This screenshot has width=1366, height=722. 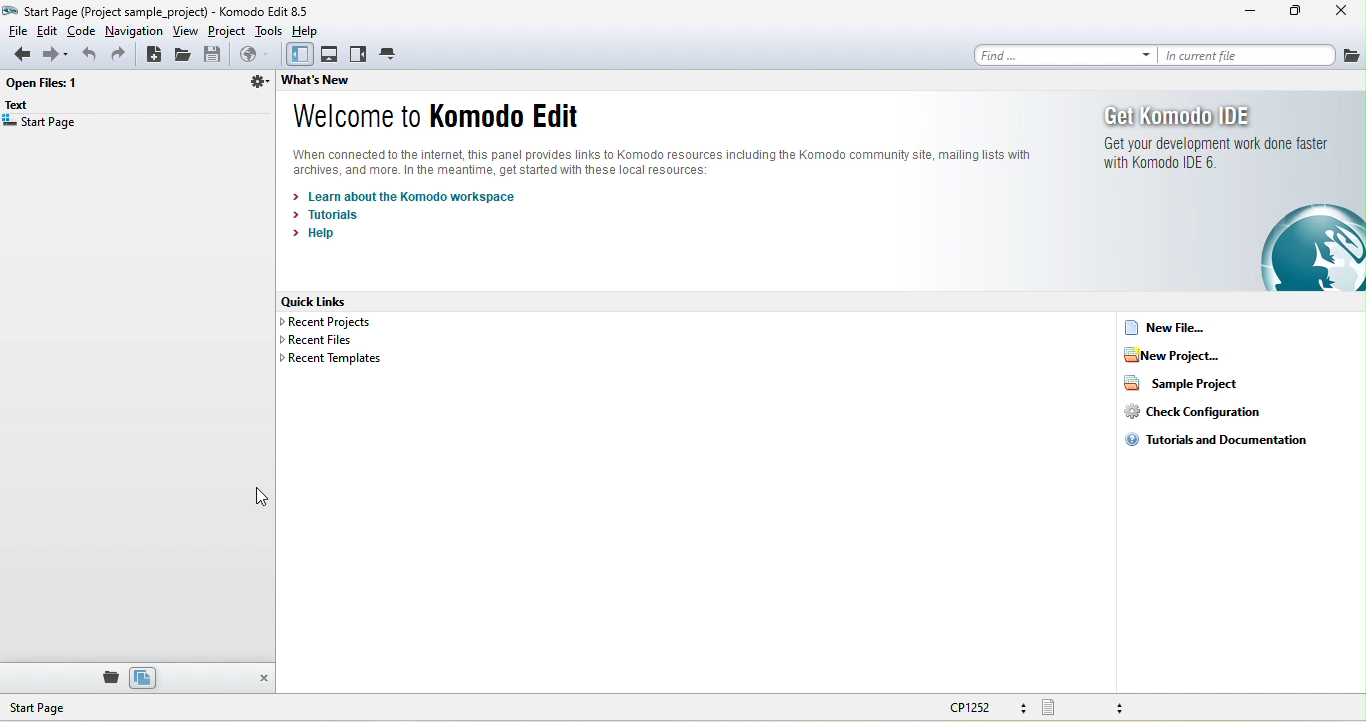 What do you see at coordinates (134, 30) in the screenshot?
I see `navigation` at bounding box center [134, 30].